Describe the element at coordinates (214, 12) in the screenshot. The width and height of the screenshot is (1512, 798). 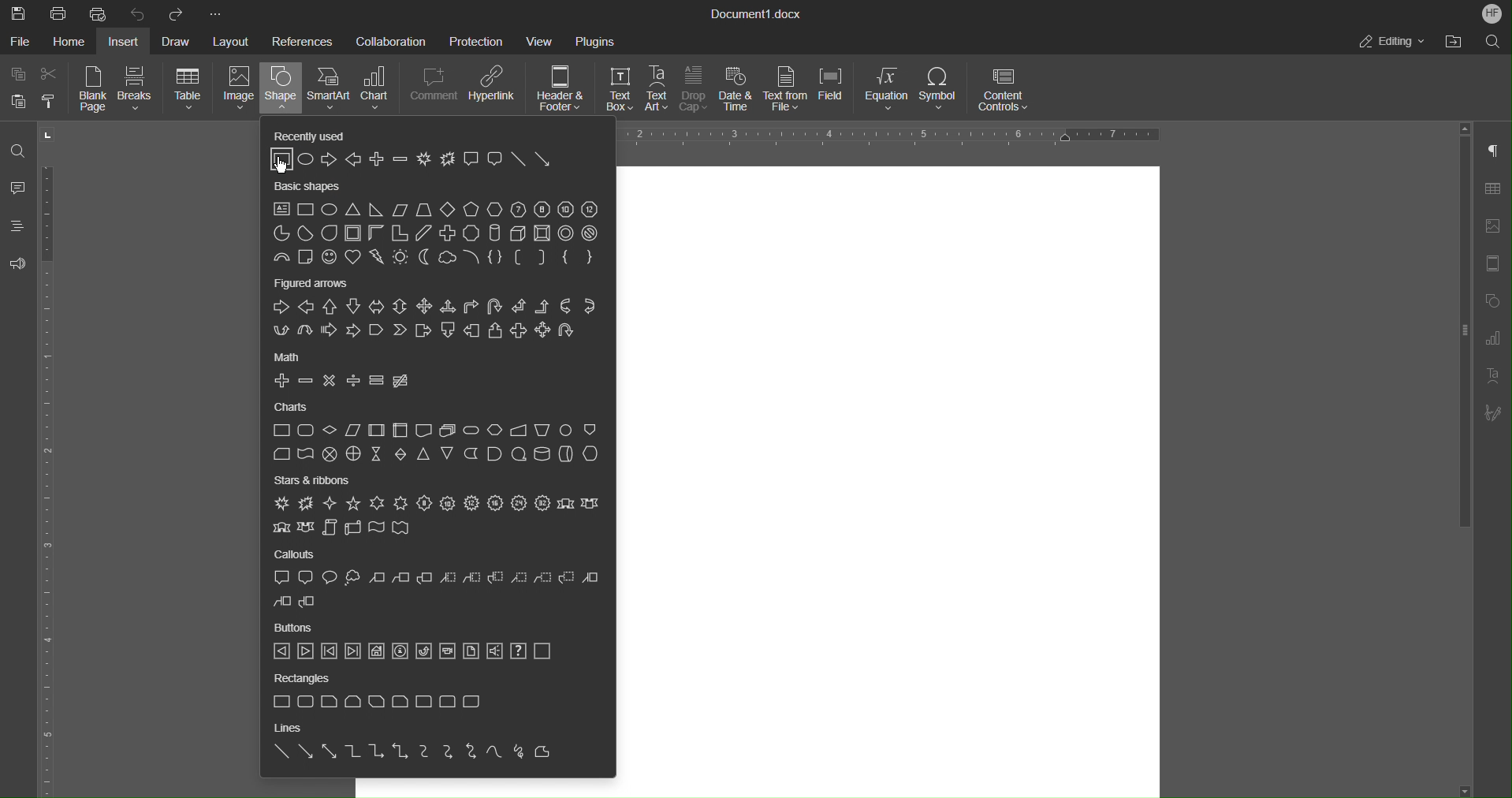
I see `More` at that location.